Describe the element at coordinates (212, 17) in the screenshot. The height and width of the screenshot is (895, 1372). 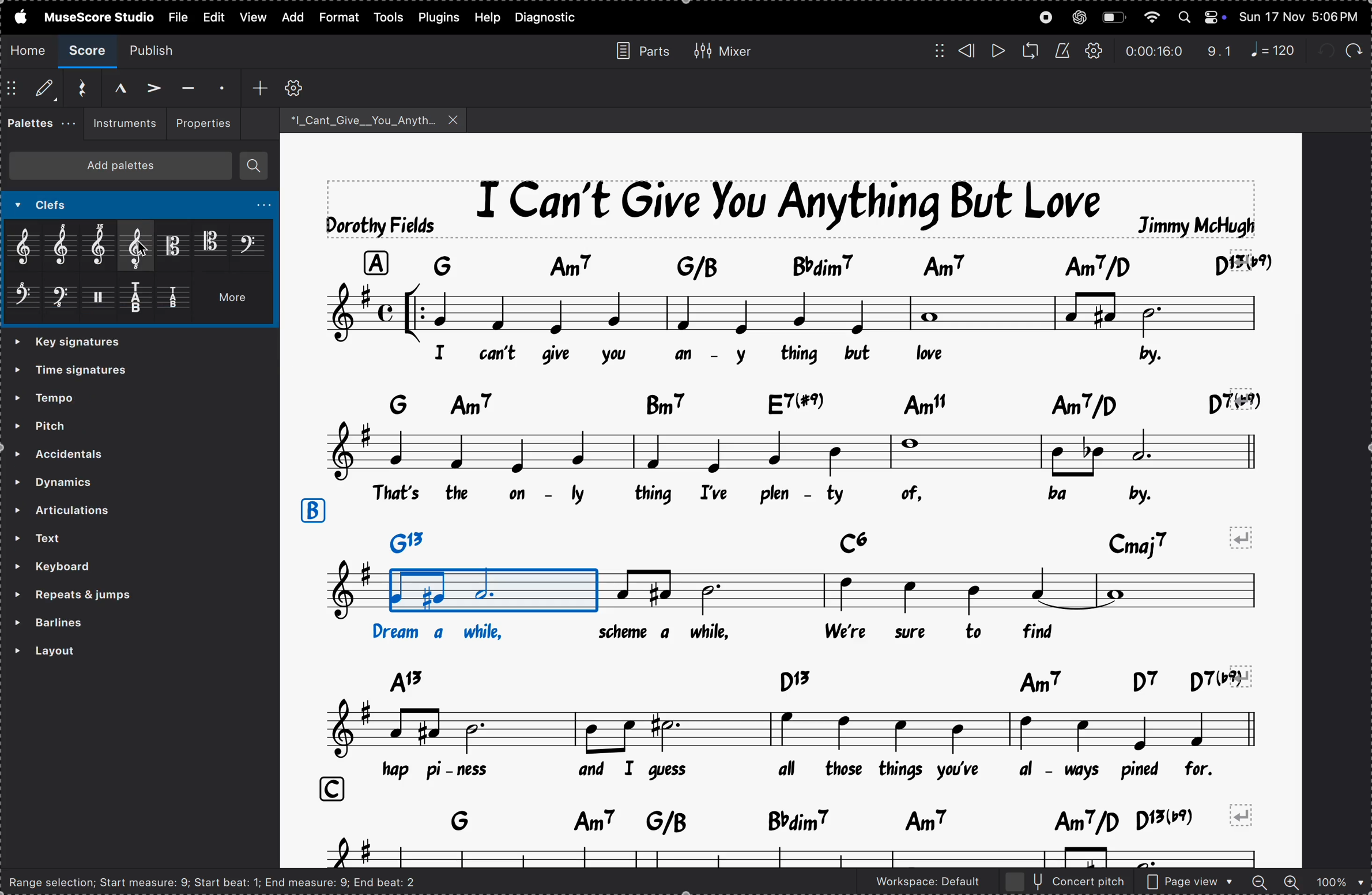
I see `view` at that location.